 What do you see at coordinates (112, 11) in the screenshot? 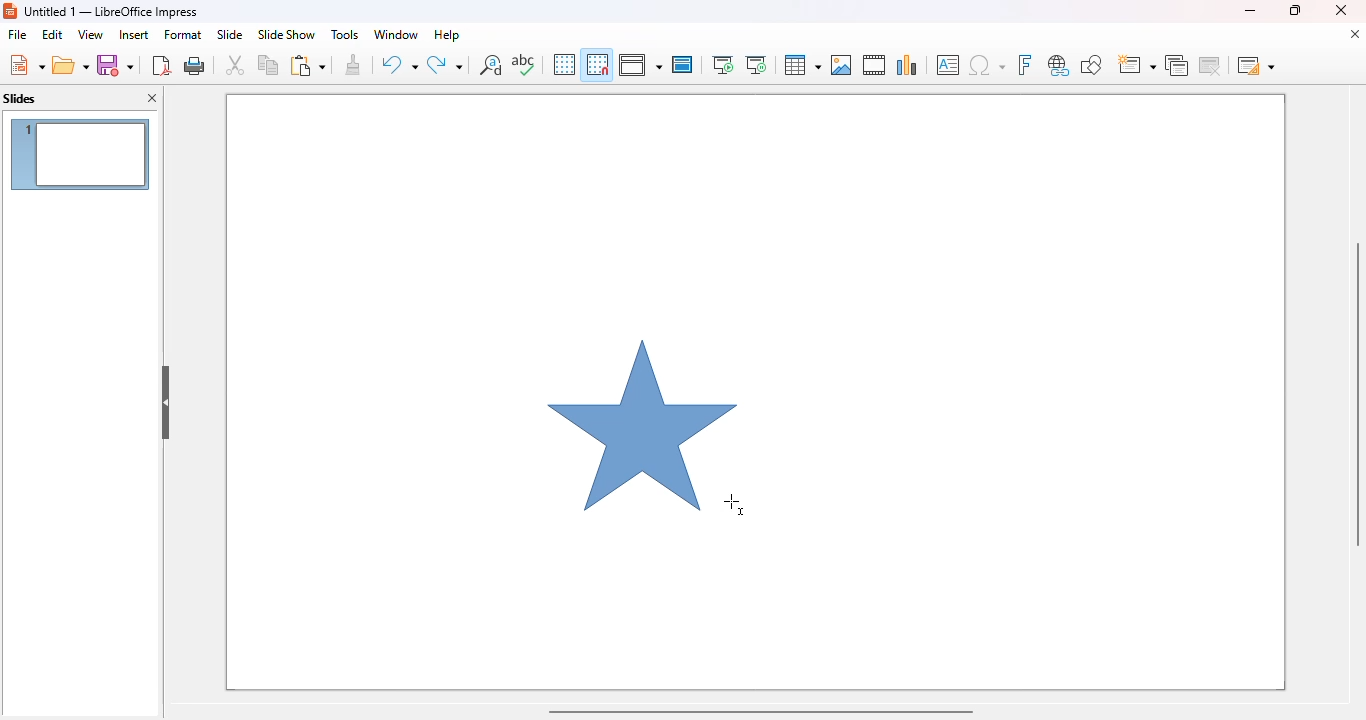
I see `title` at bounding box center [112, 11].